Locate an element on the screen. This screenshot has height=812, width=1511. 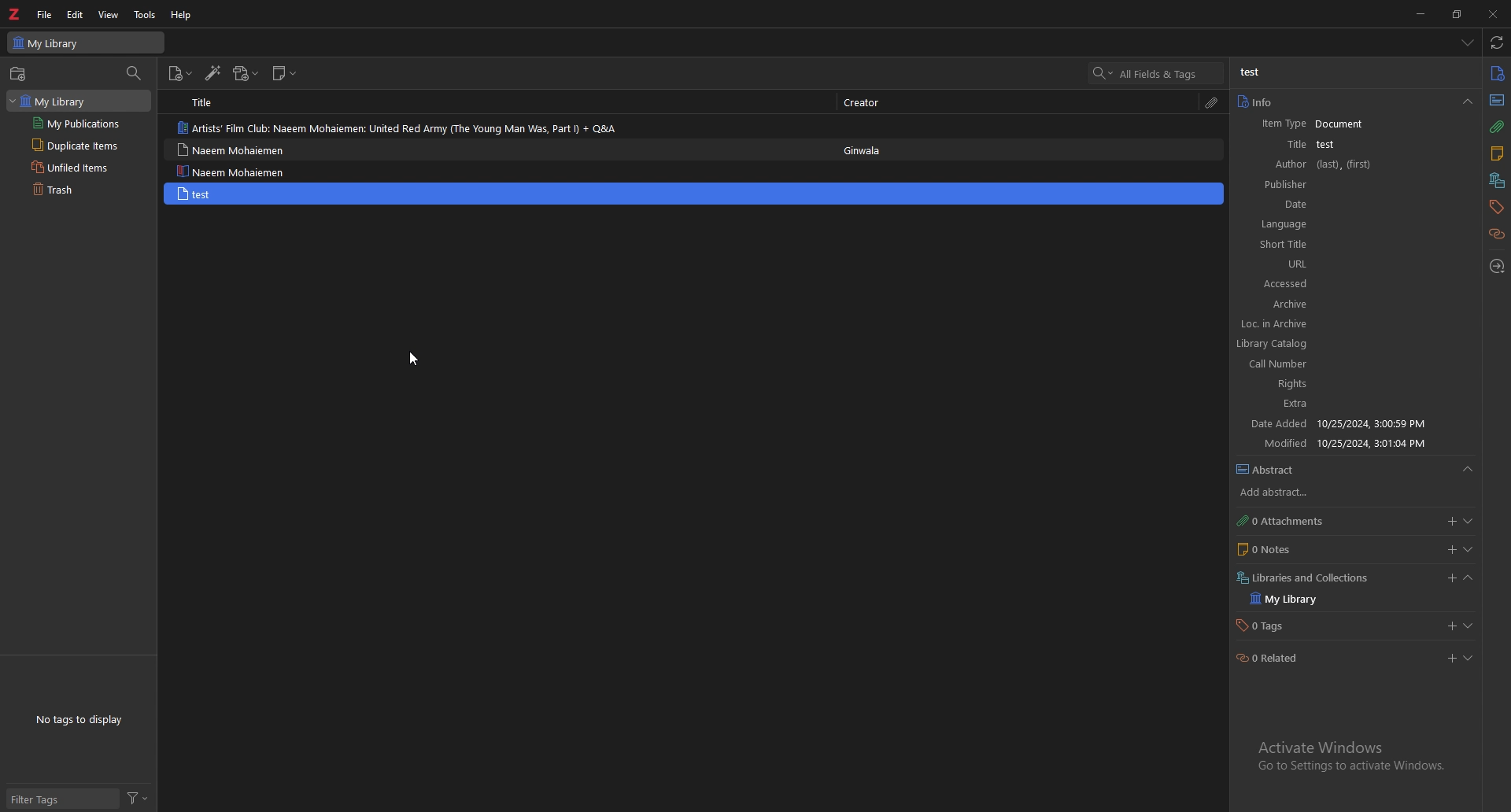
creator is located at coordinates (866, 101).